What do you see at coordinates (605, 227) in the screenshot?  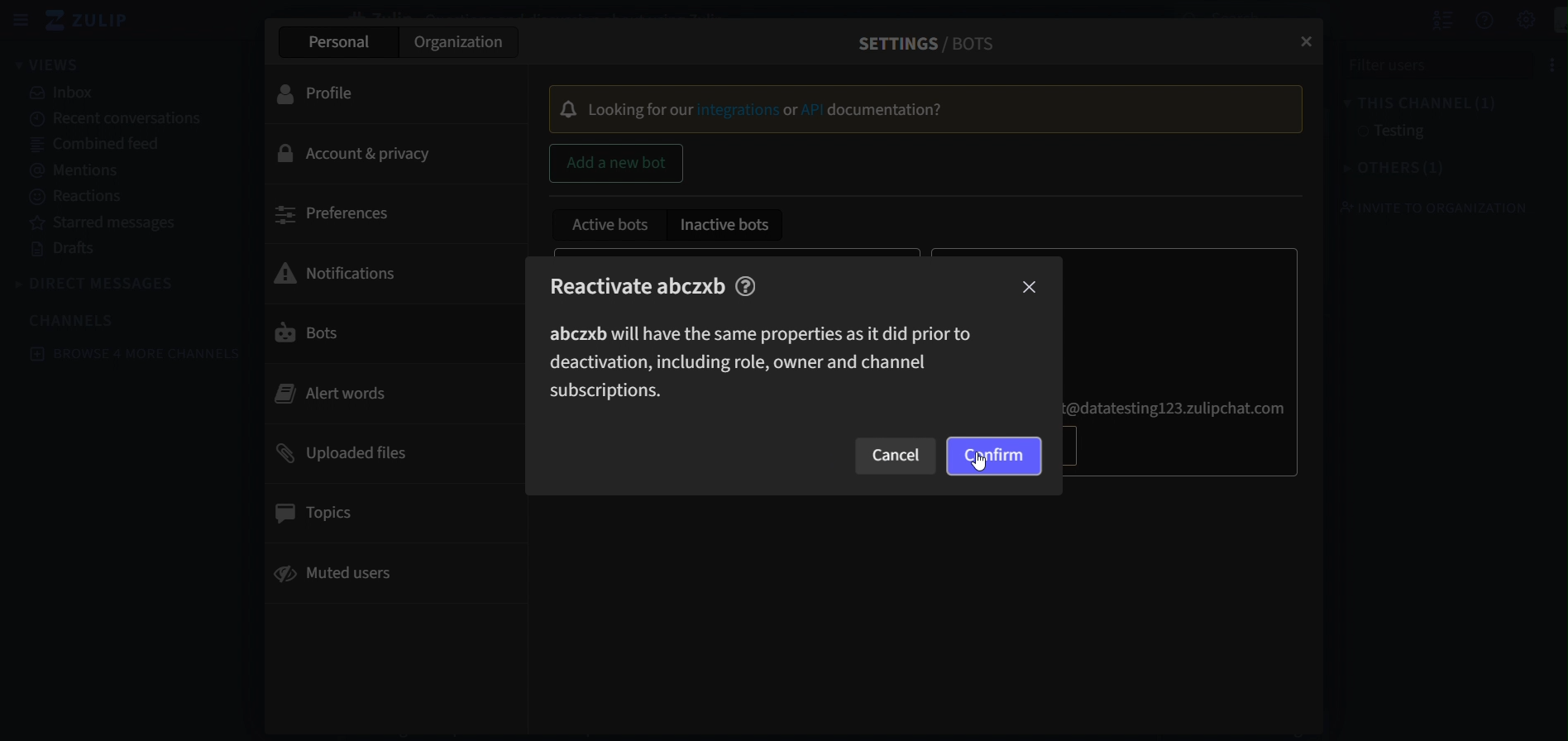 I see `active bots` at bounding box center [605, 227].